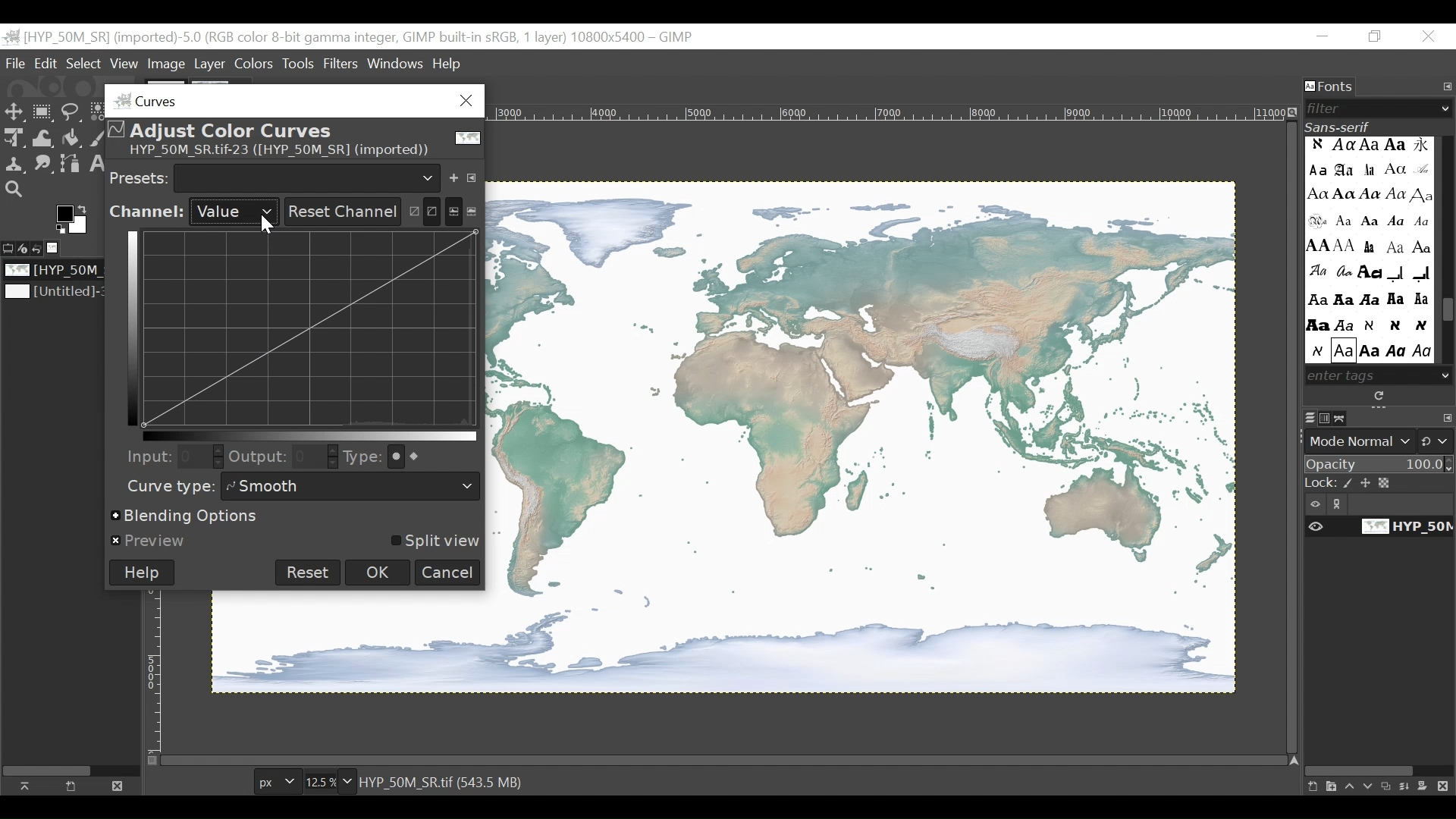  What do you see at coordinates (433, 541) in the screenshot?
I see `Split view` at bounding box center [433, 541].